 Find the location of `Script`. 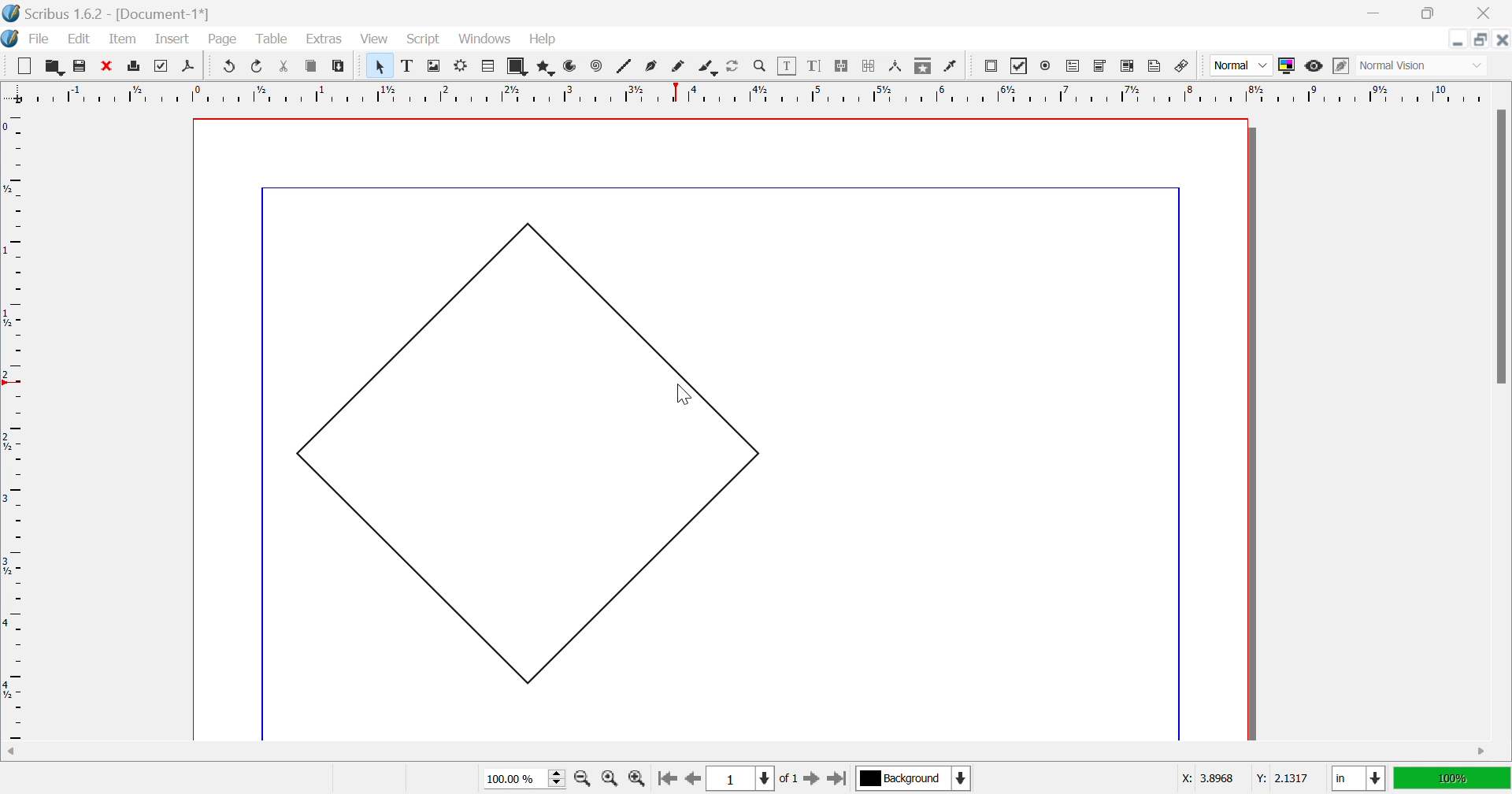

Script is located at coordinates (428, 40).